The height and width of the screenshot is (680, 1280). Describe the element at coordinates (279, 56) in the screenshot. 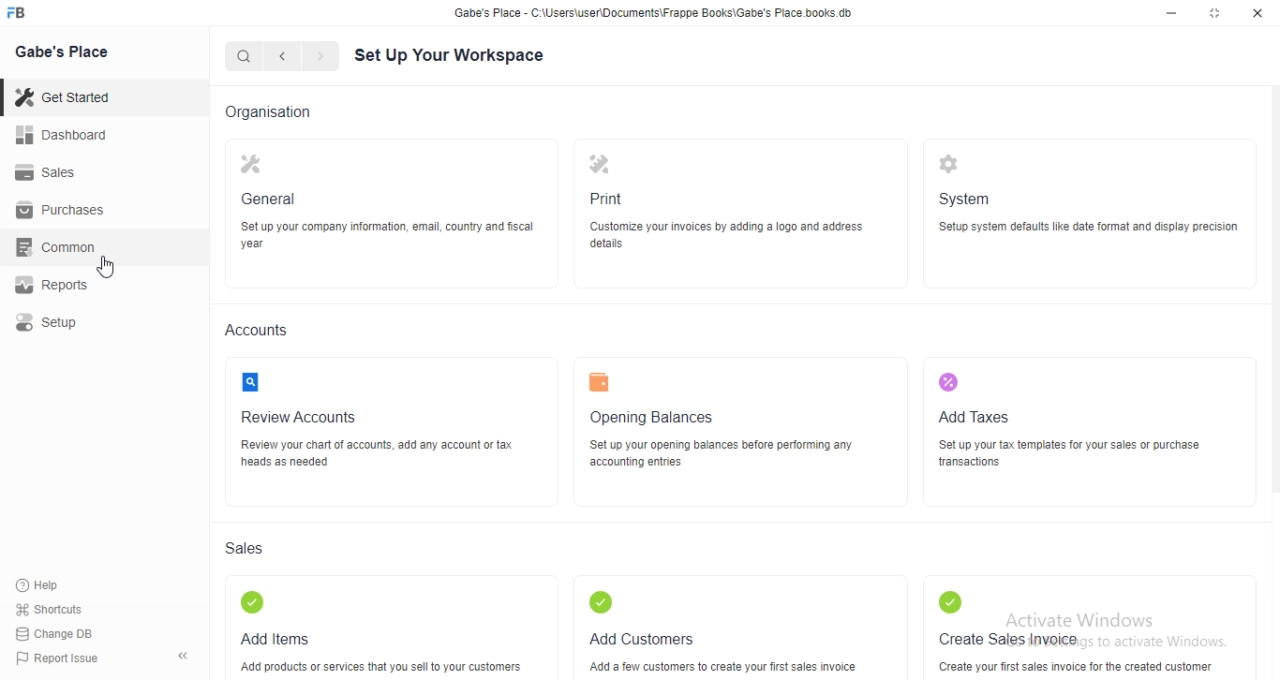

I see `previous` at that location.